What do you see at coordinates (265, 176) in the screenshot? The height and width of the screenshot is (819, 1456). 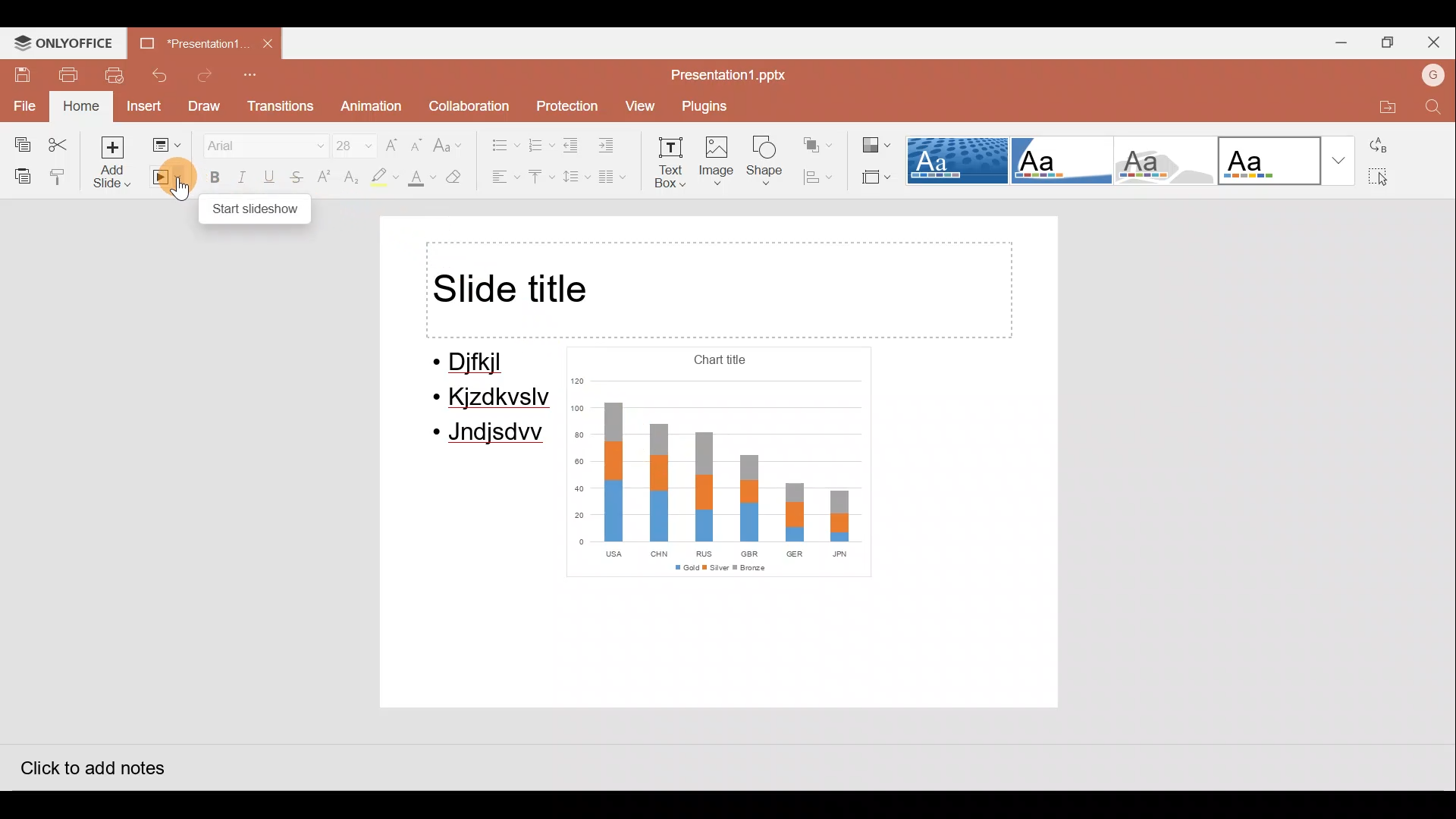 I see `Underline` at bounding box center [265, 176].